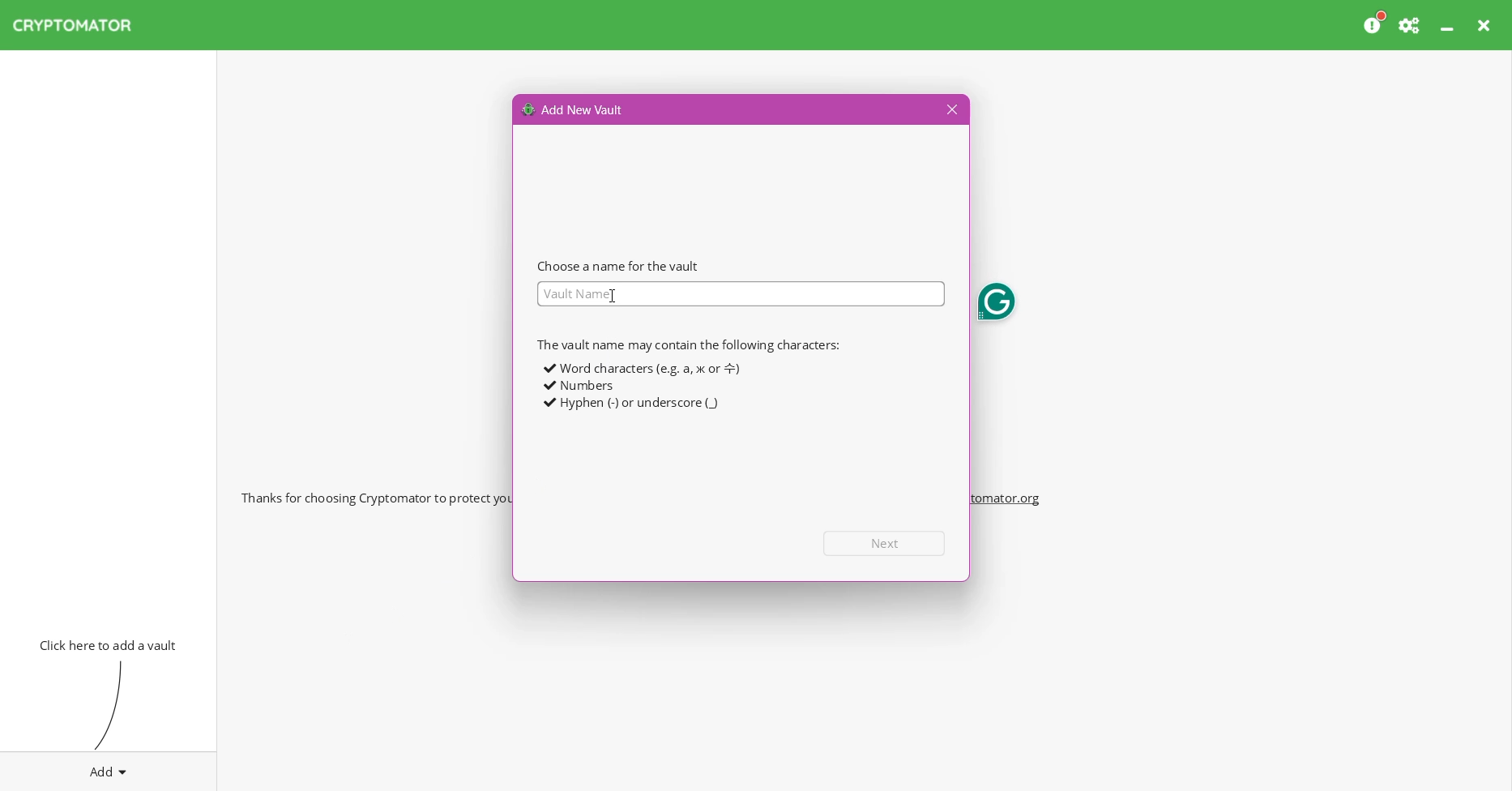 The height and width of the screenshot is (791, 1512). I want to click on The vault name may contain the following characters, so click(687, 344).